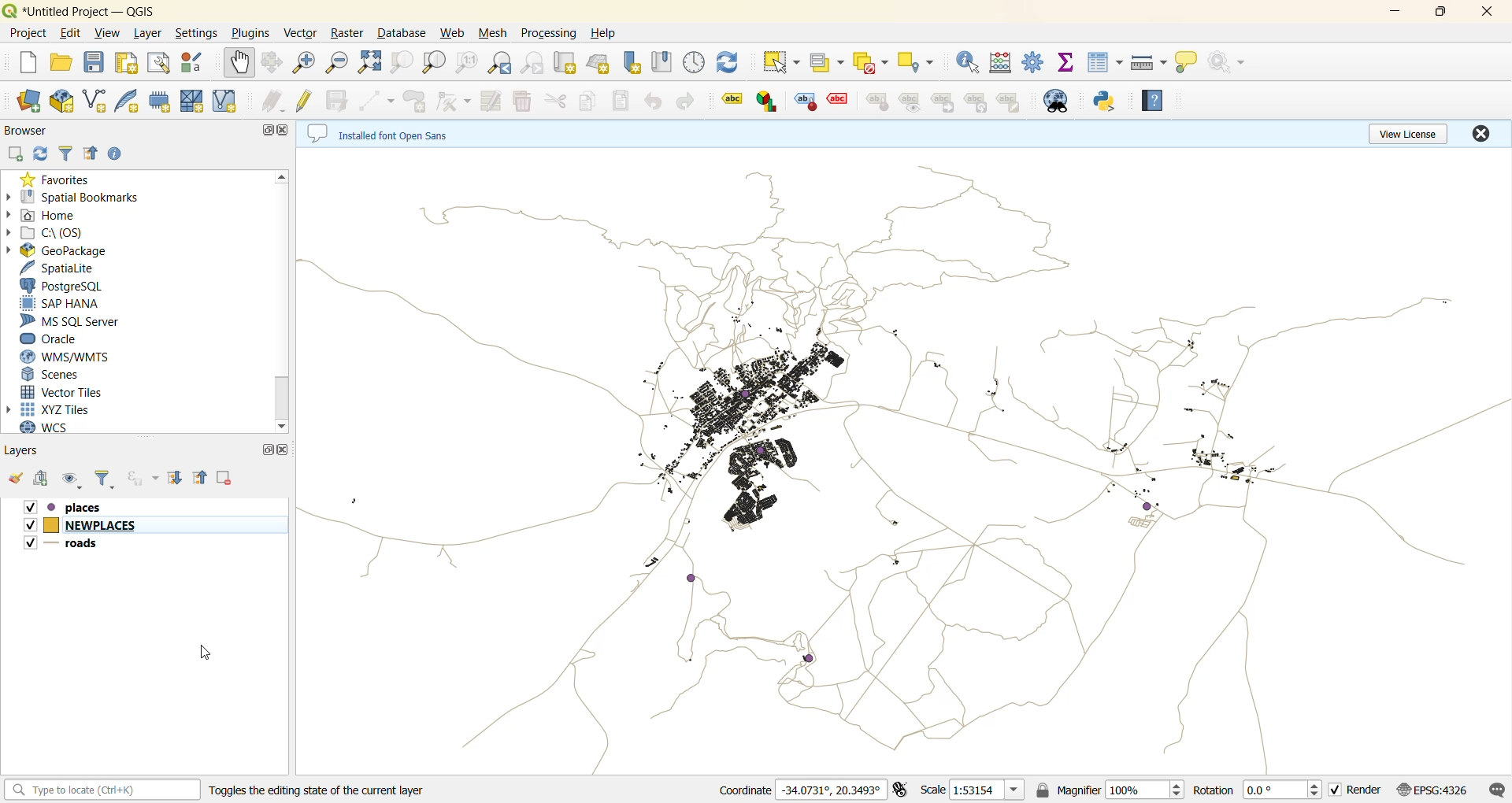  I want to click on toggle edits, so click(307, 100).